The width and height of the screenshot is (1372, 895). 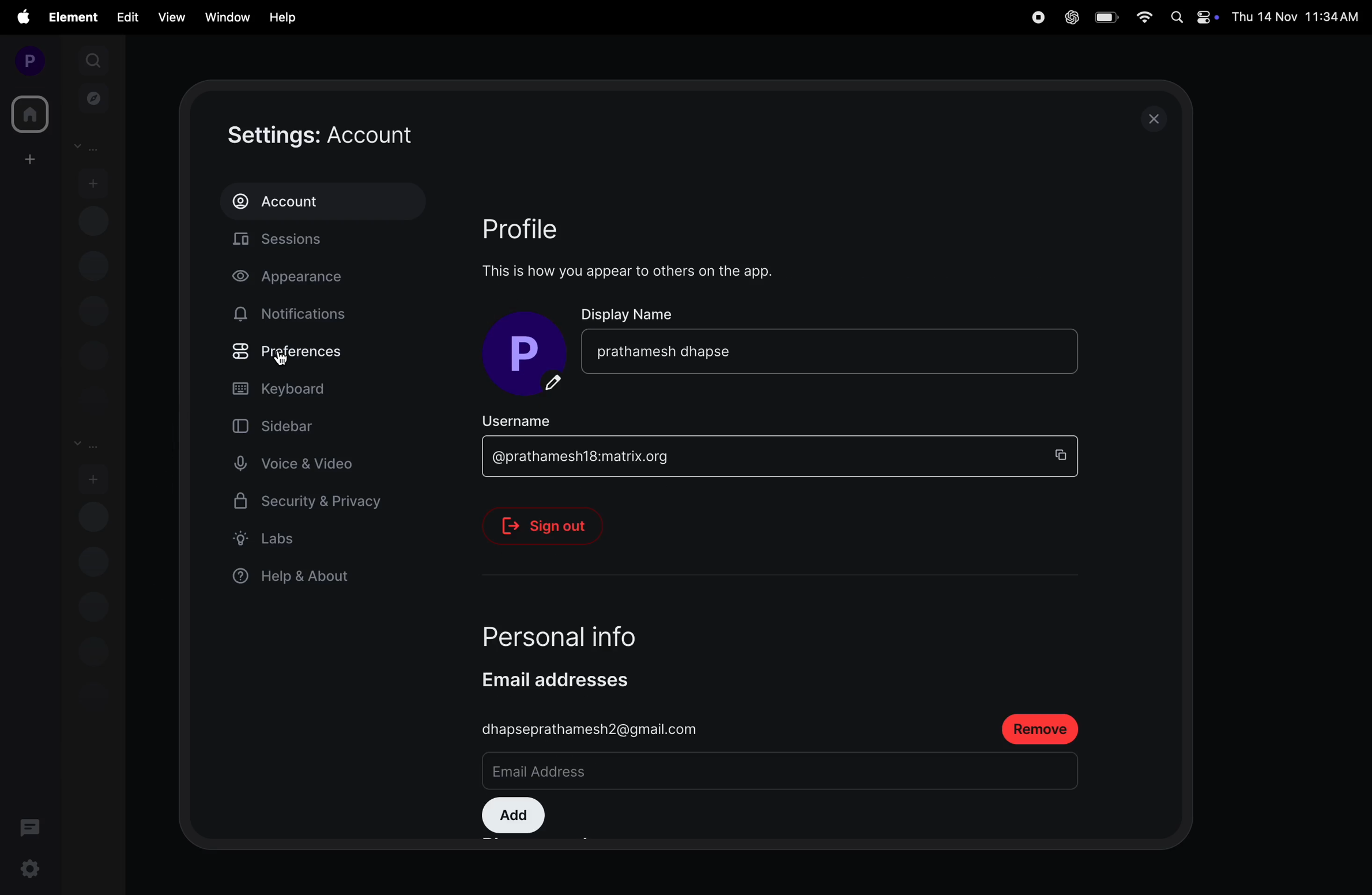 I want to click on username, so click(x=520, y=420).